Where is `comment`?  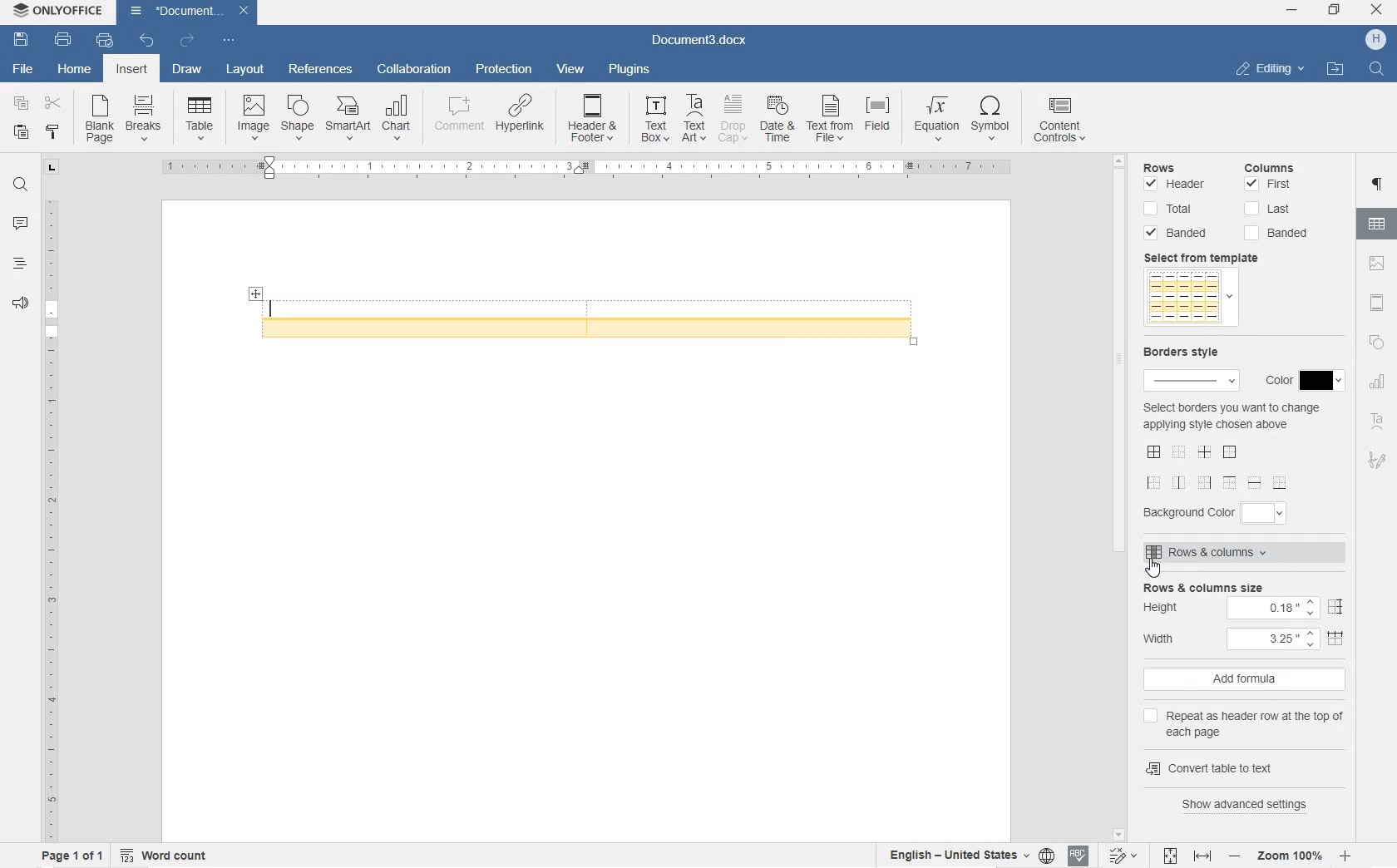
comment is located at coordinates (456, 118).